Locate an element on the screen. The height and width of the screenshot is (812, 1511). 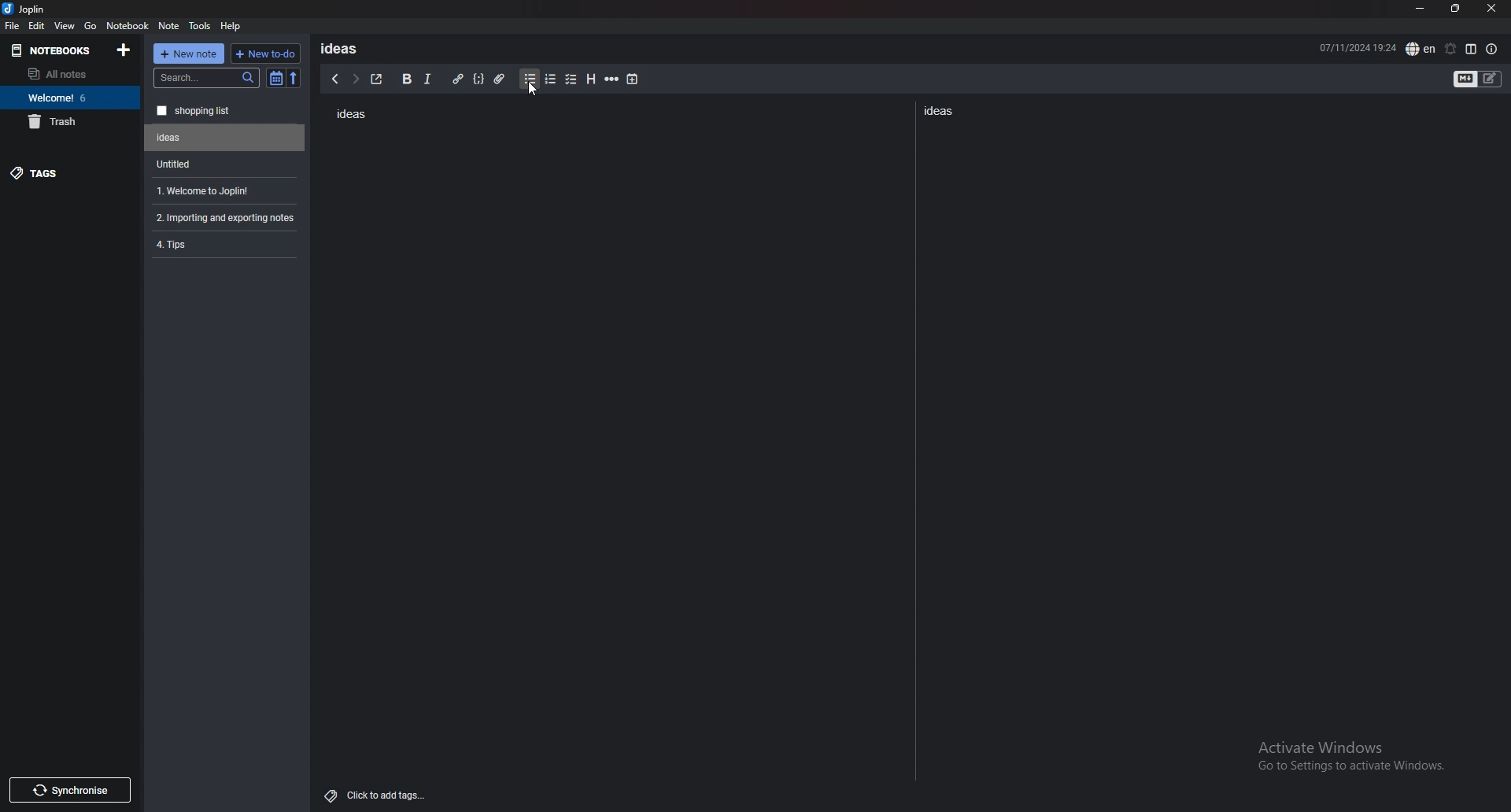
toggle editor layout is located at coordinates (1471, 49).